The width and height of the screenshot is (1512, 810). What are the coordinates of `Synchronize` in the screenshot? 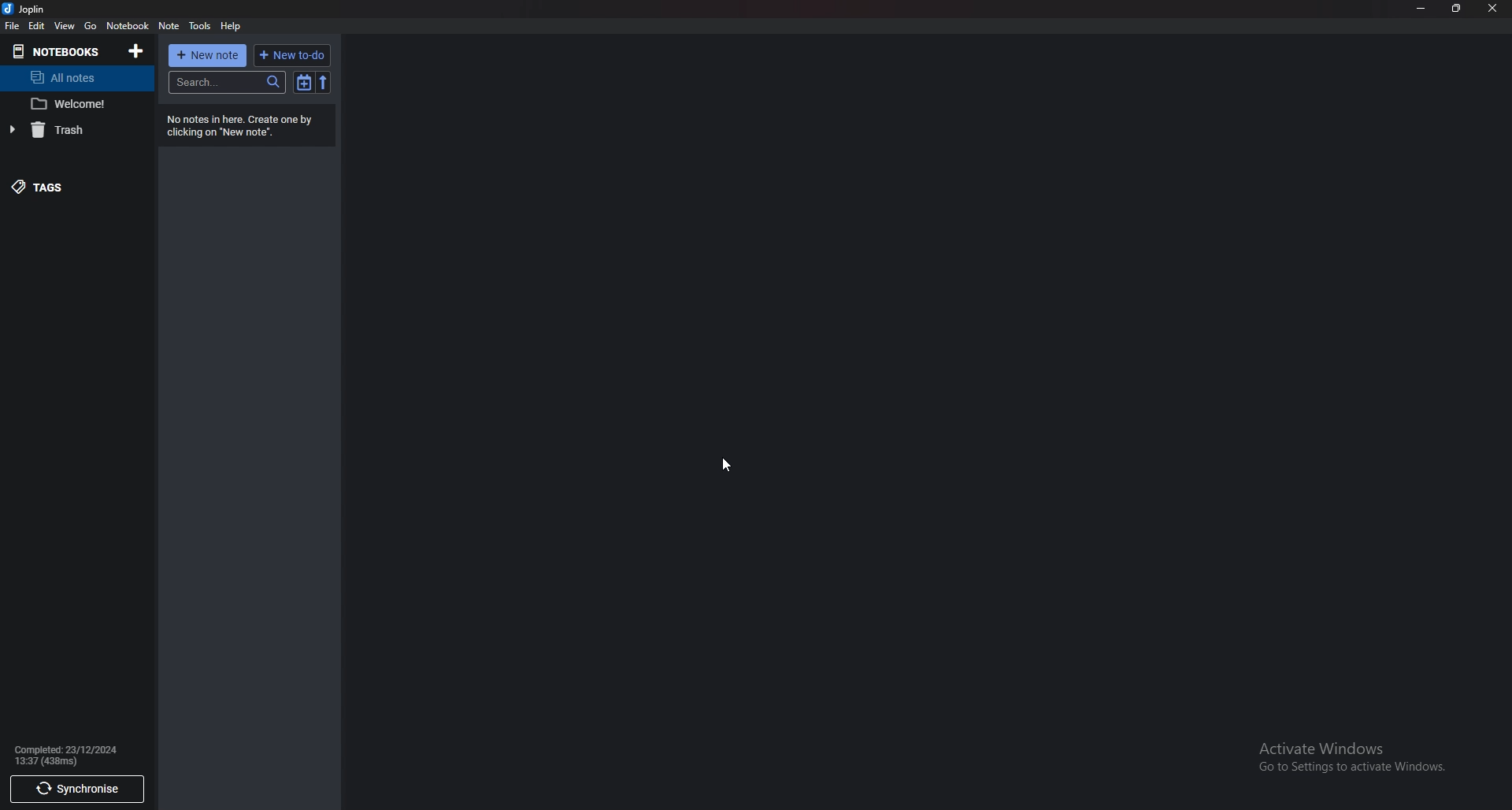 It's located at (76, 790).